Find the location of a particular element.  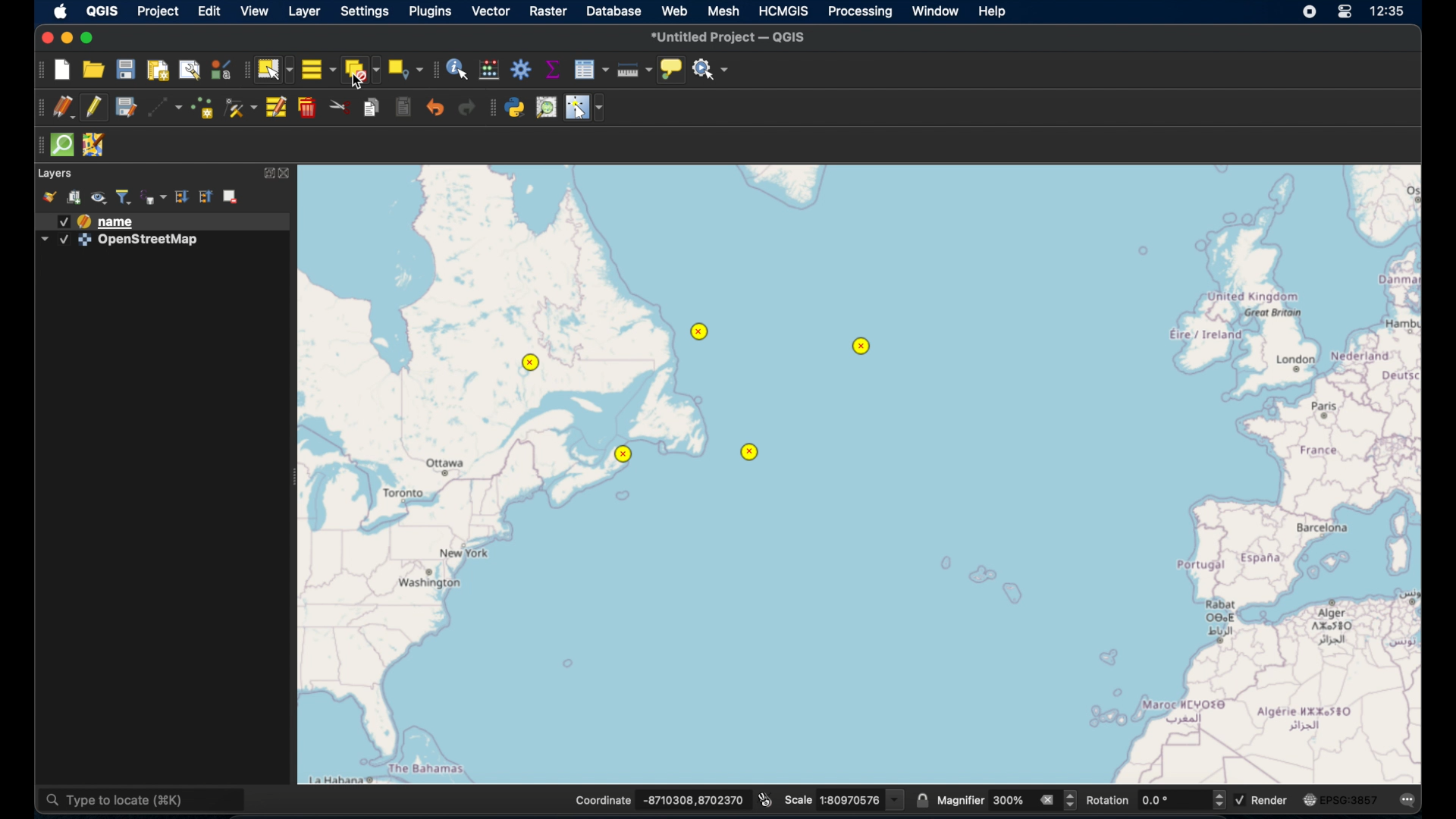

minimize is located at coordinates (67, 39).